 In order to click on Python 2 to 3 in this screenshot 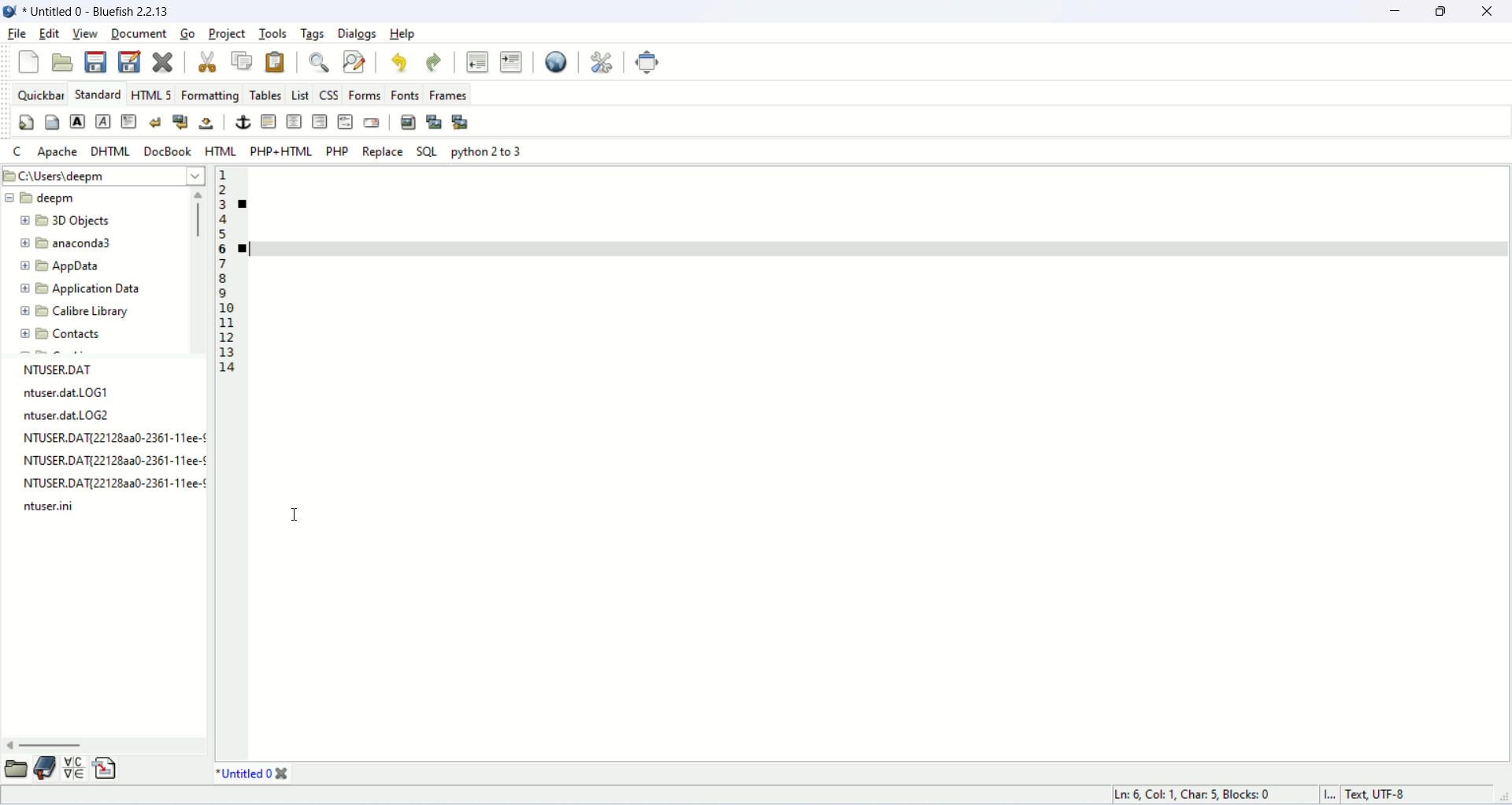, I will do `click(488, 151)`.